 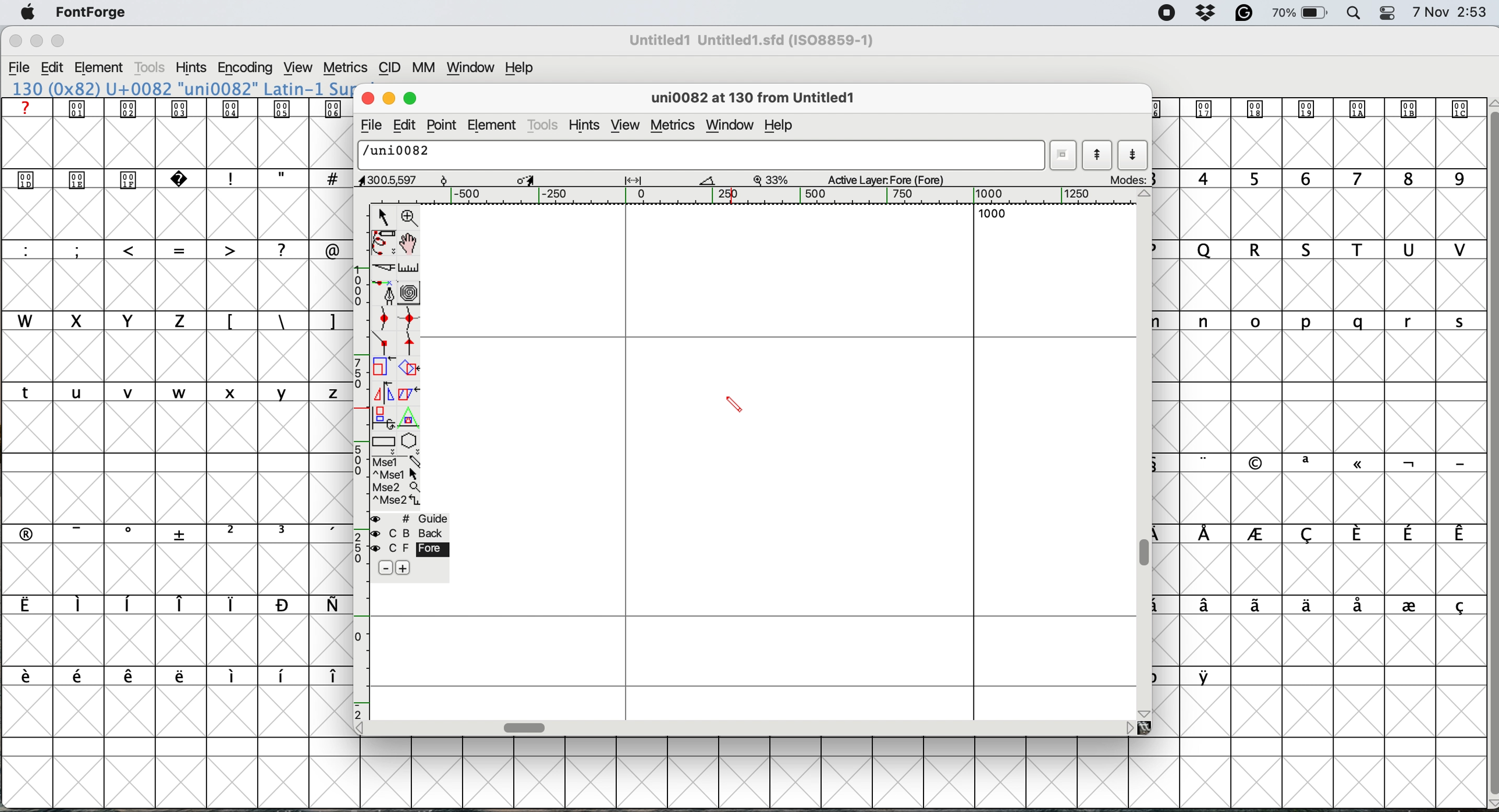 What do you see at coordinates (403, 567) in the screenshot?
I see `add` at bounding box center [403, 567].